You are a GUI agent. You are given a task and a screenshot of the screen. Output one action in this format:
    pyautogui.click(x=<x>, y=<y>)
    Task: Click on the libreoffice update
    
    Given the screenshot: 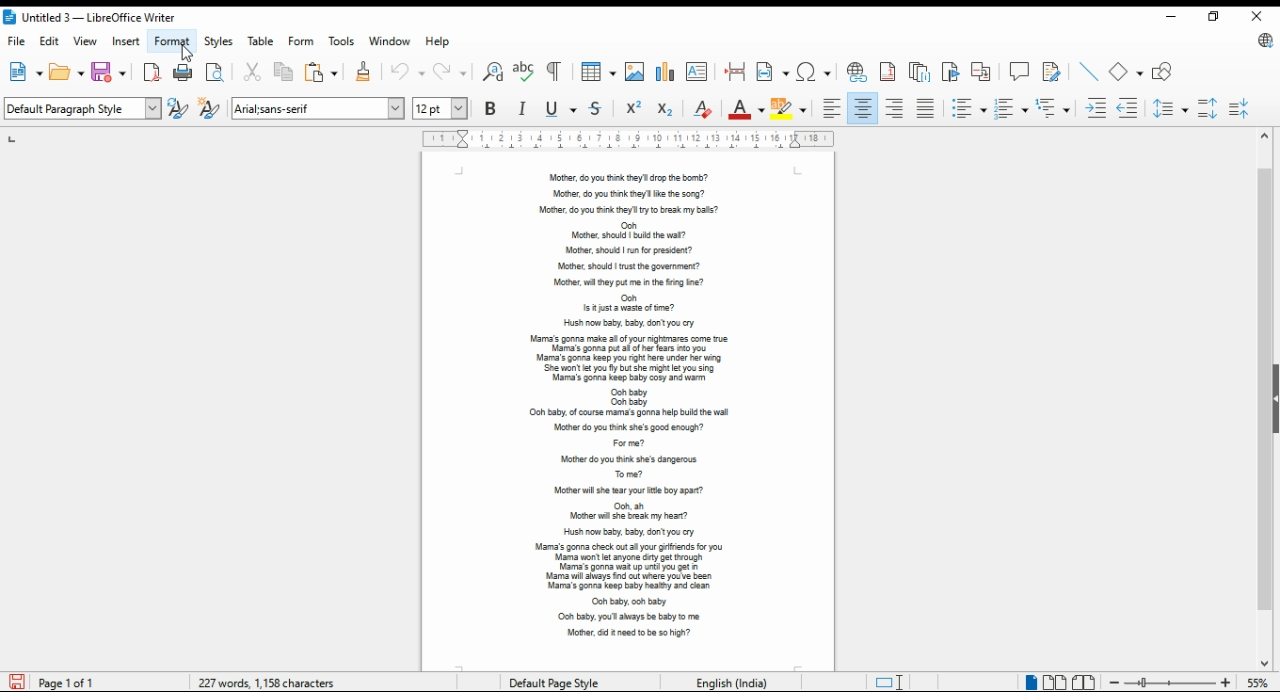 What is the action you would take?
    pyautogui.click(x=1262, y=41)
    